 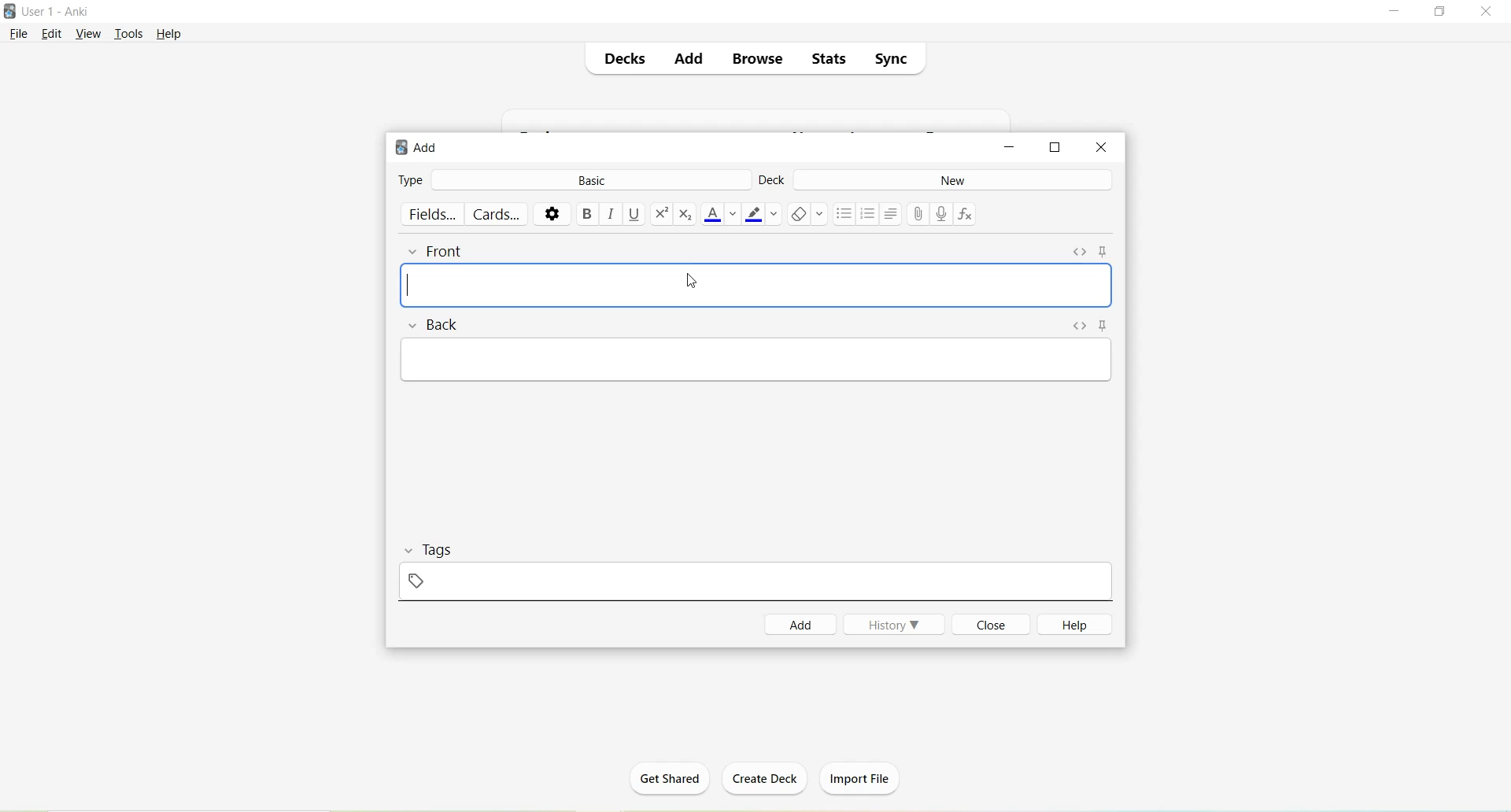 I want to click on Attach pictures/audio/video, so click(x=922, y=213).